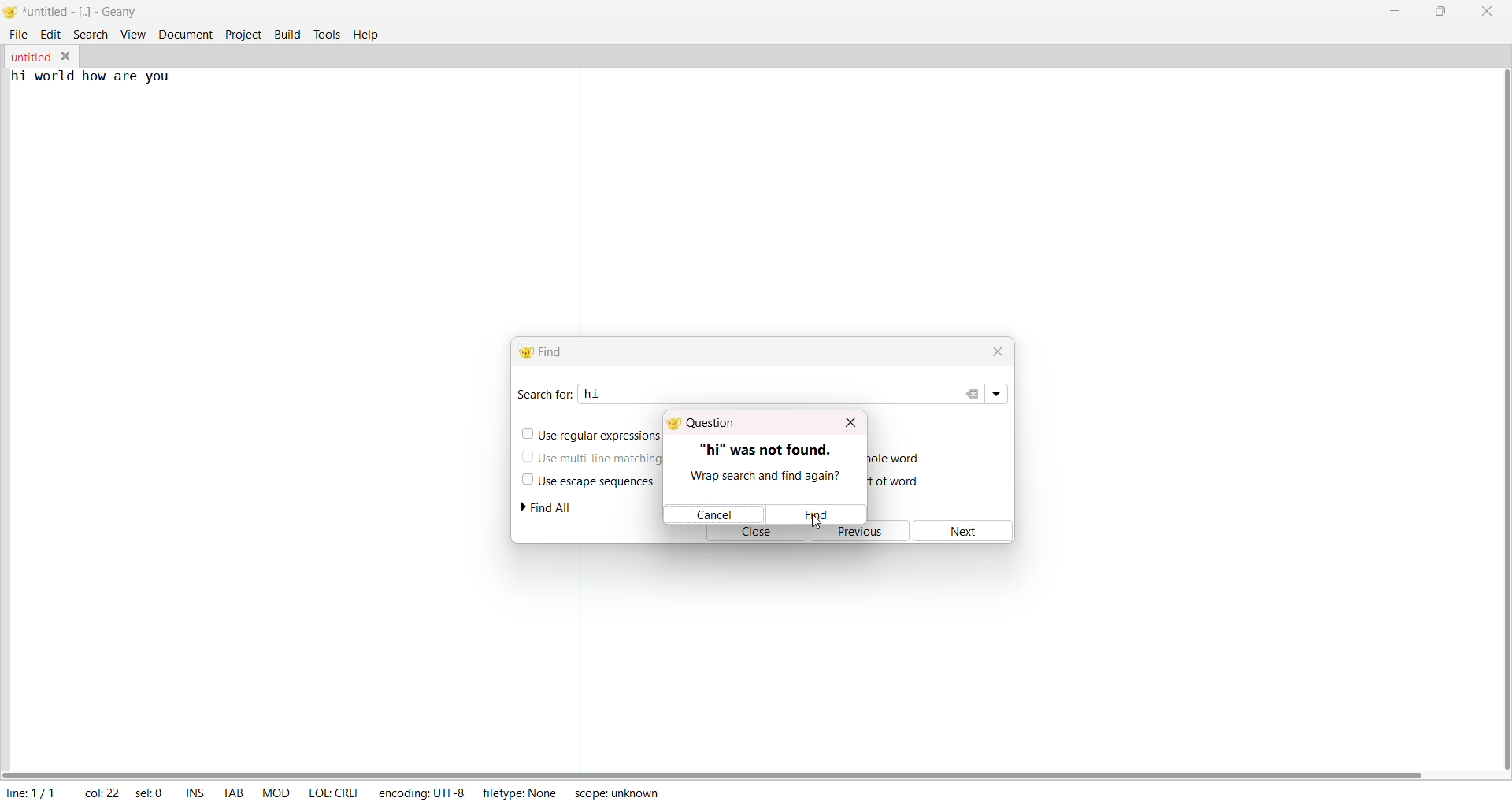  What do you see at coordinates (29, 54) in the screenshot?
I see `untitled` at bounding box center [29, 54].